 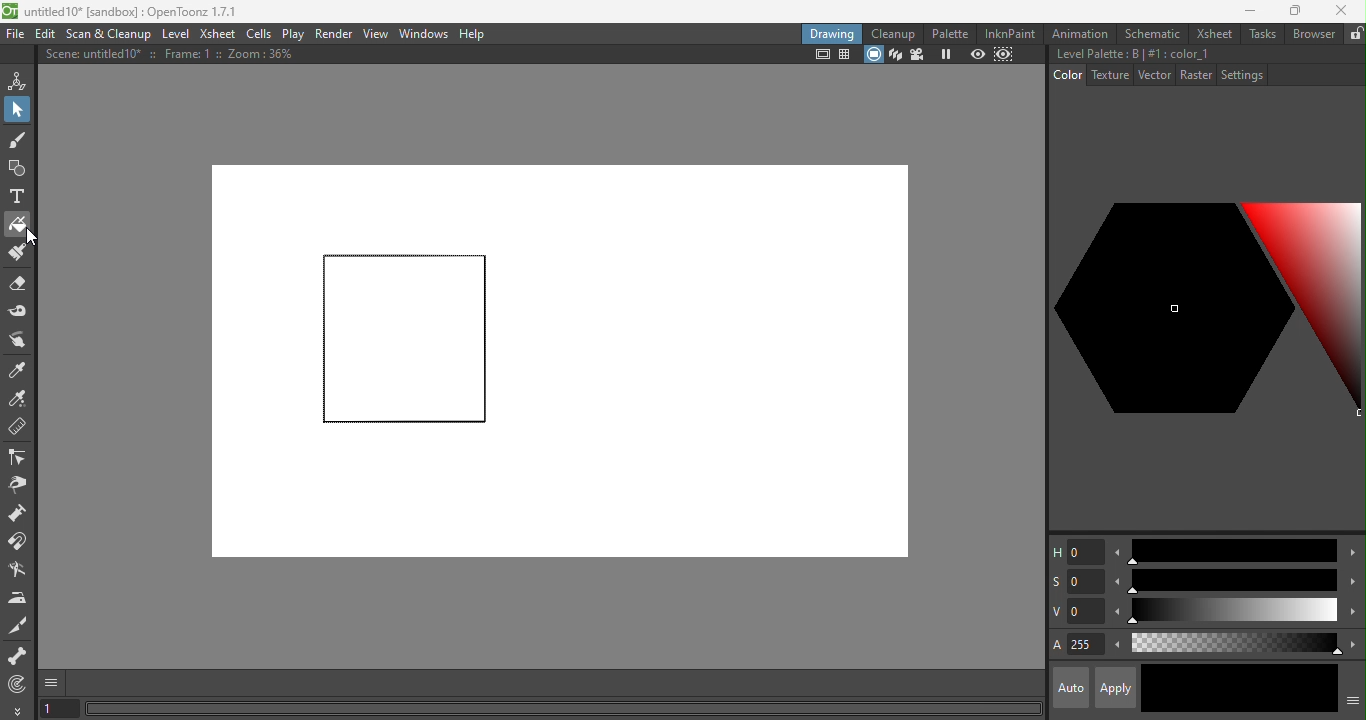 What do you see at coordinates (1261, 34) in the screenshot?
I see `Tasks` at bounding box center [1261, 34].